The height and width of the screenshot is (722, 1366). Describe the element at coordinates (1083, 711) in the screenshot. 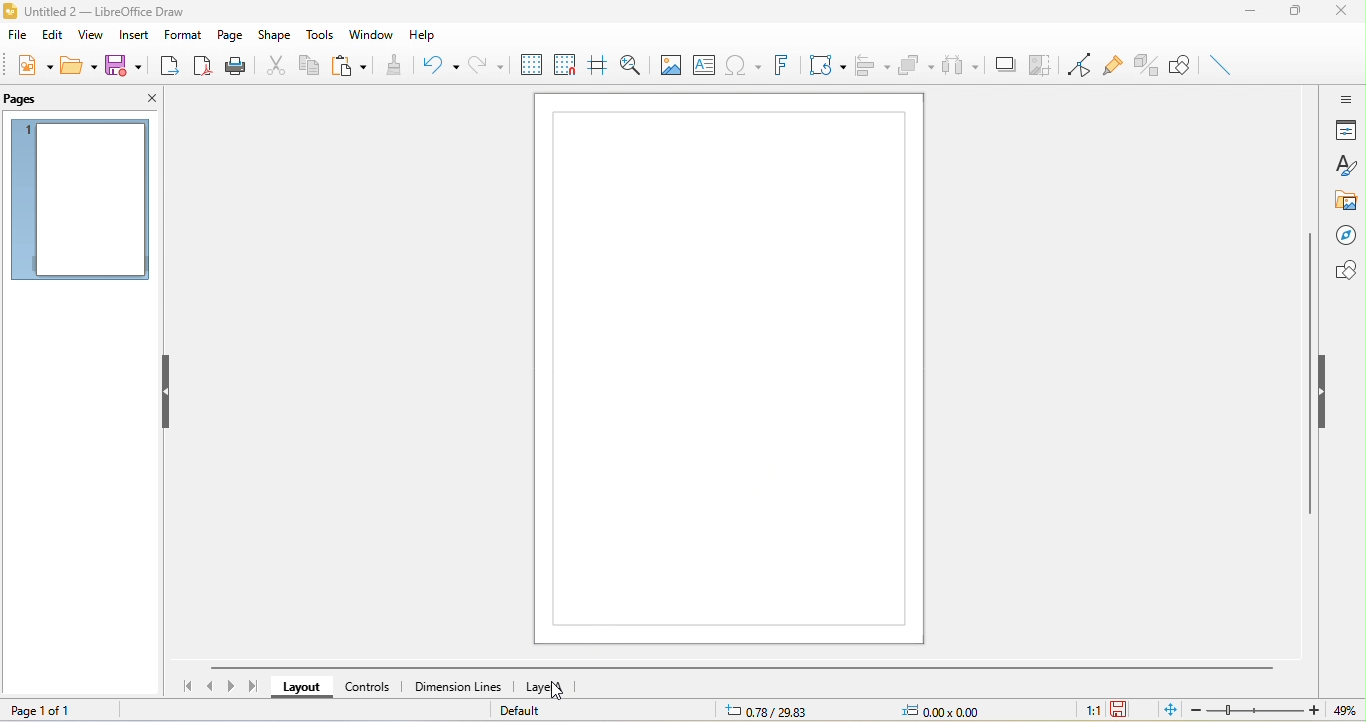

I see `1:1` at that location.